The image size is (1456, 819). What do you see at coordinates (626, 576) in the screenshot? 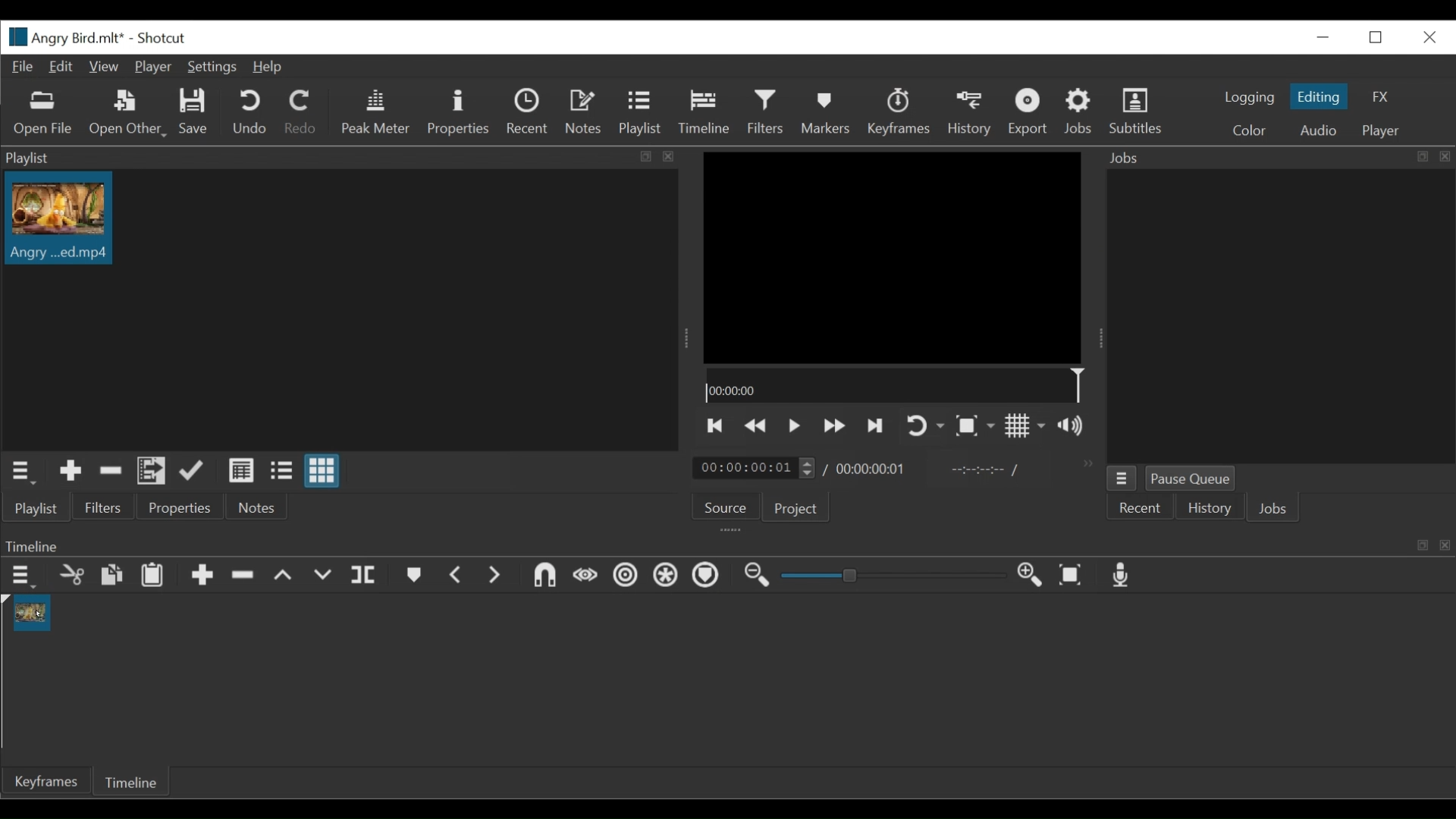
I see `Ripple` at bounding box center [626, 576].